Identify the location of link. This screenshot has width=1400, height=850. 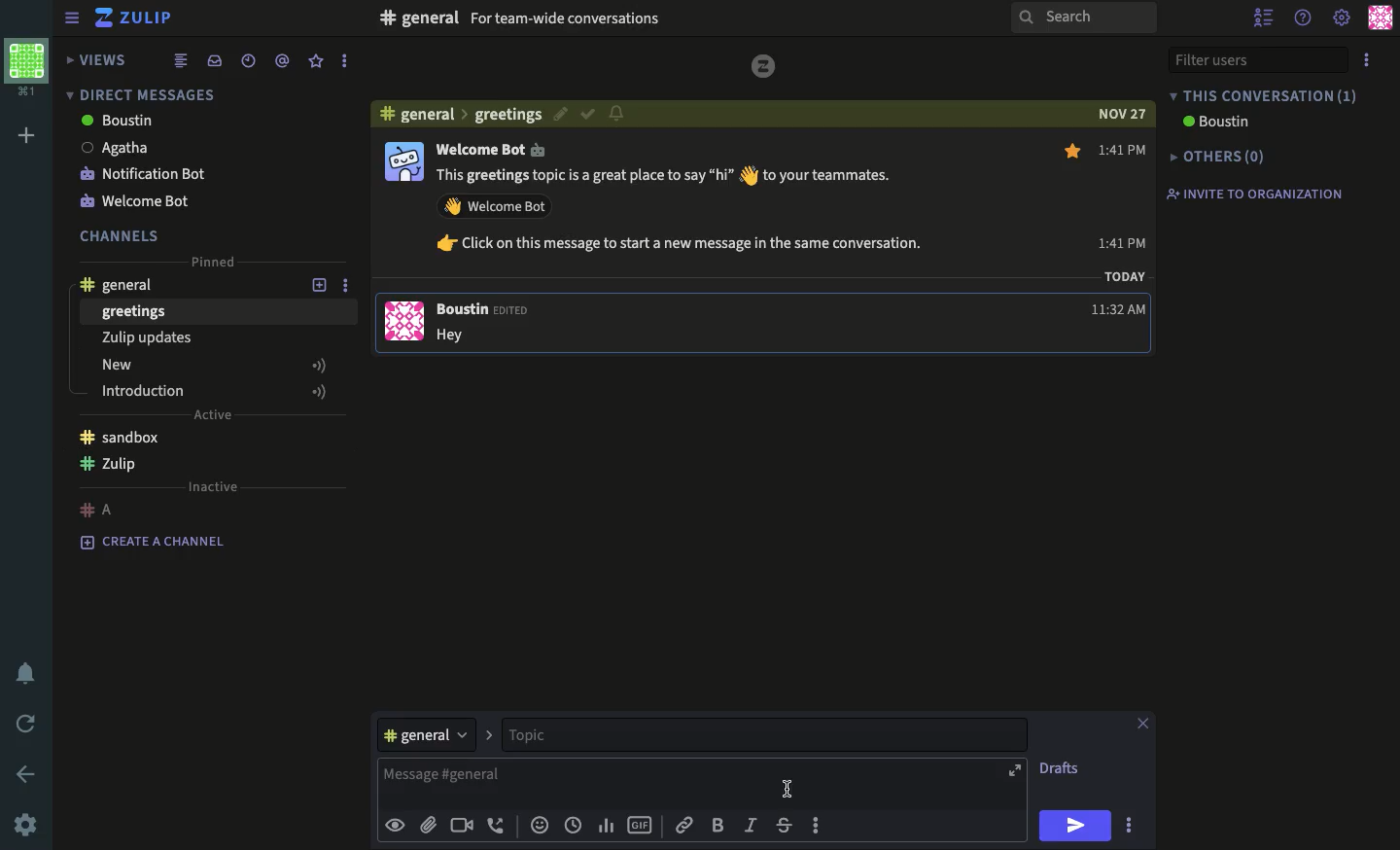
(682, 825).